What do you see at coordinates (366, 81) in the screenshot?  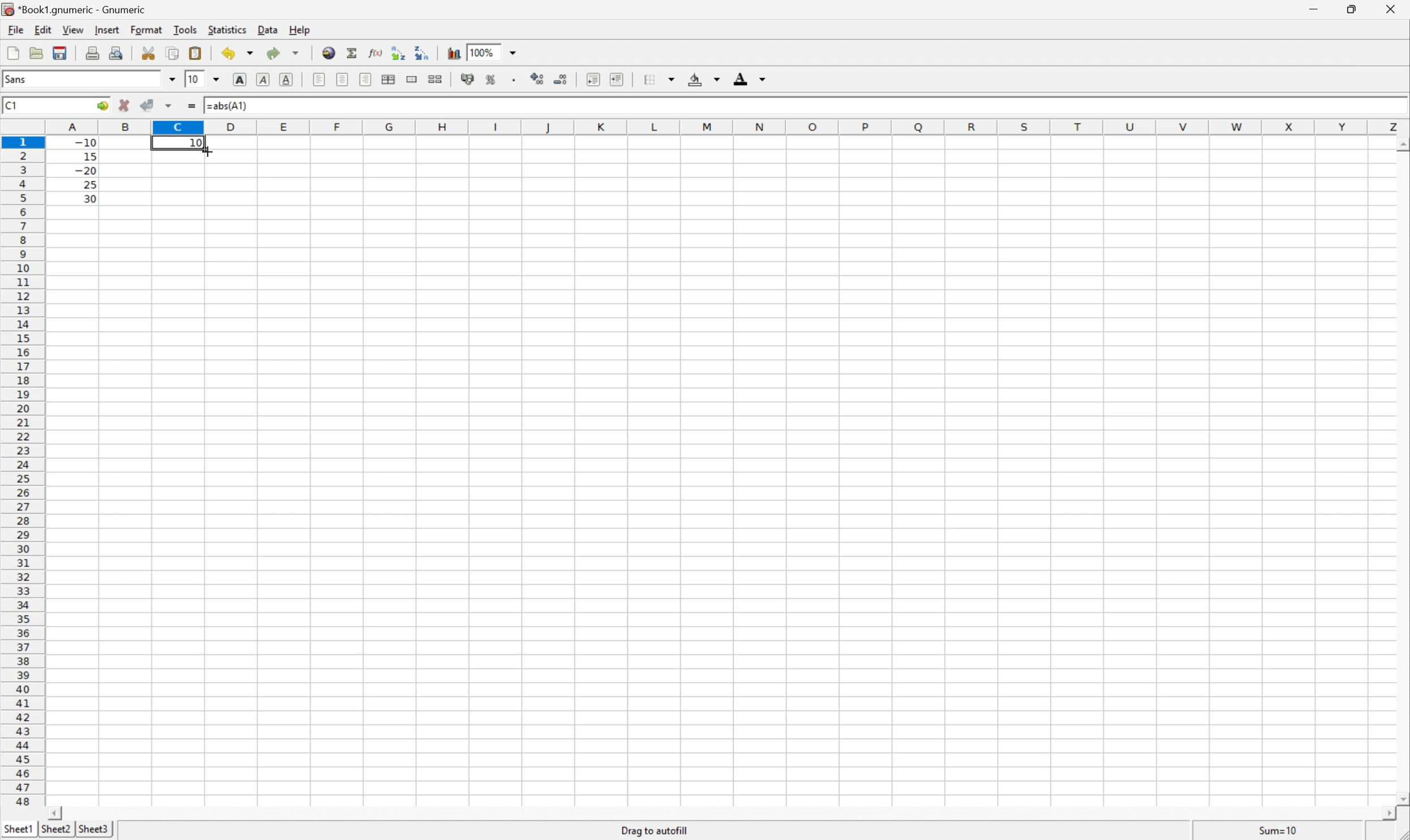 I see `align right` at bounding box center [366, 81].